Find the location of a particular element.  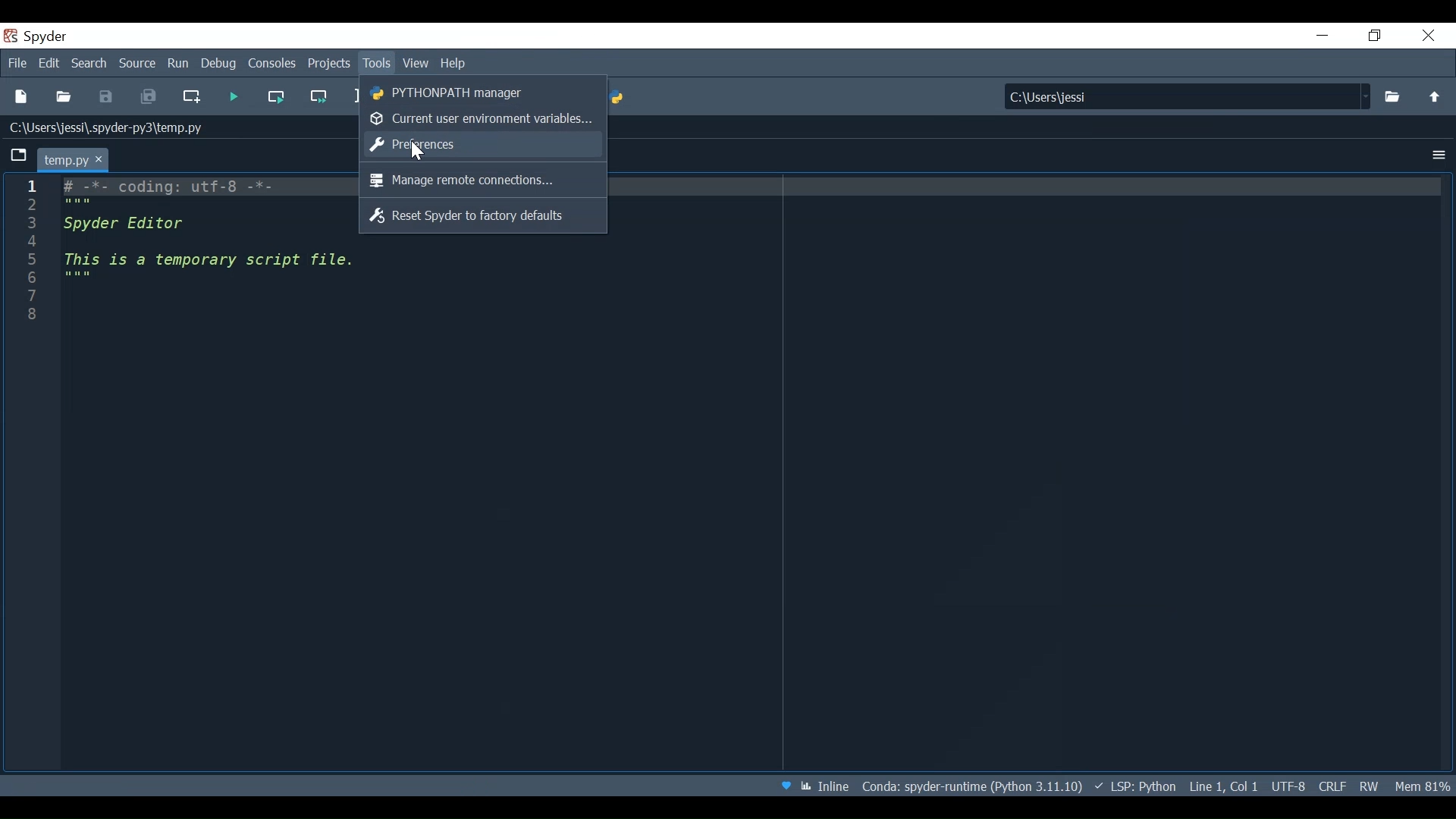

Minimize is located at coordinates (1322, 36).